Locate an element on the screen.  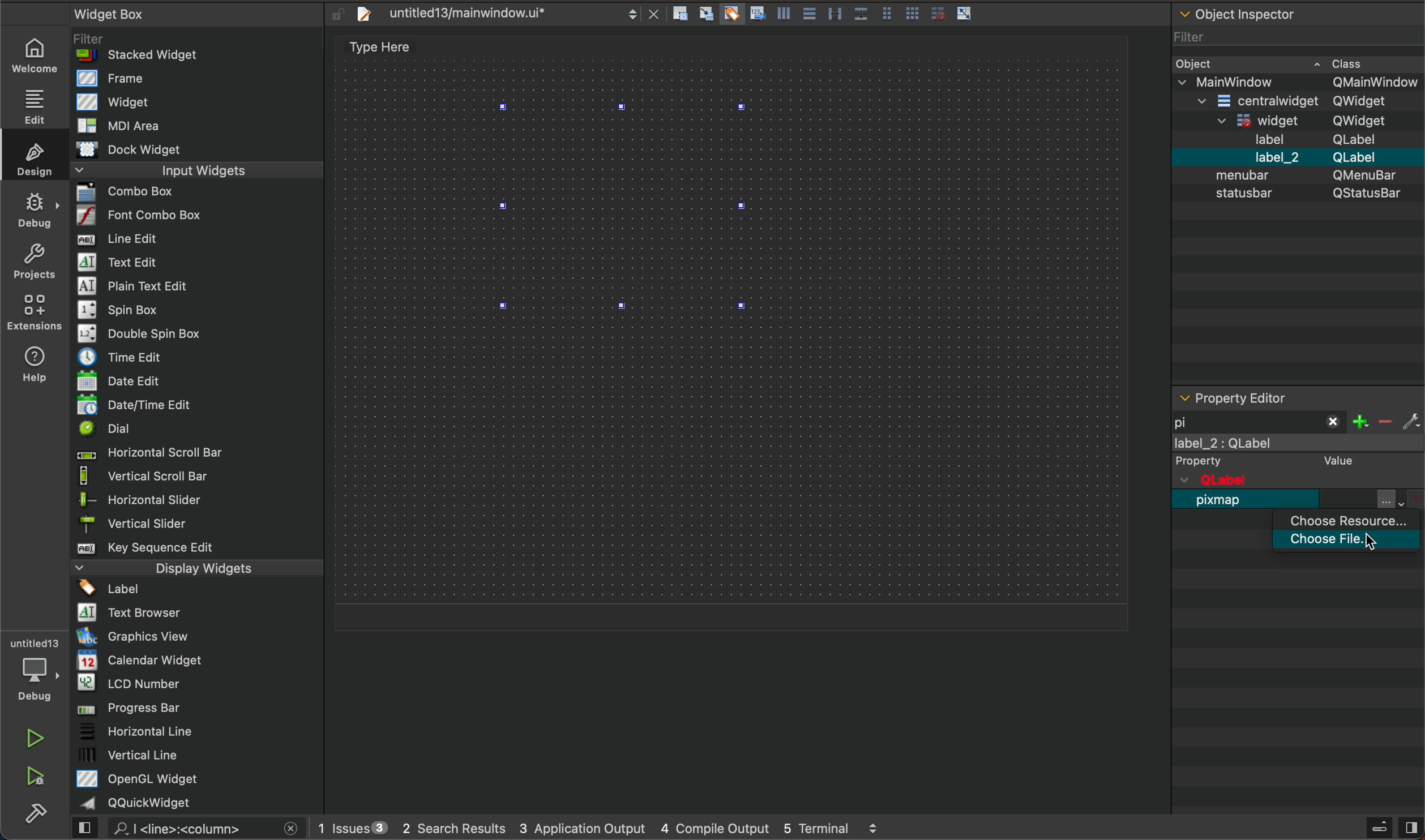
run is located at coordinates (34, 736).